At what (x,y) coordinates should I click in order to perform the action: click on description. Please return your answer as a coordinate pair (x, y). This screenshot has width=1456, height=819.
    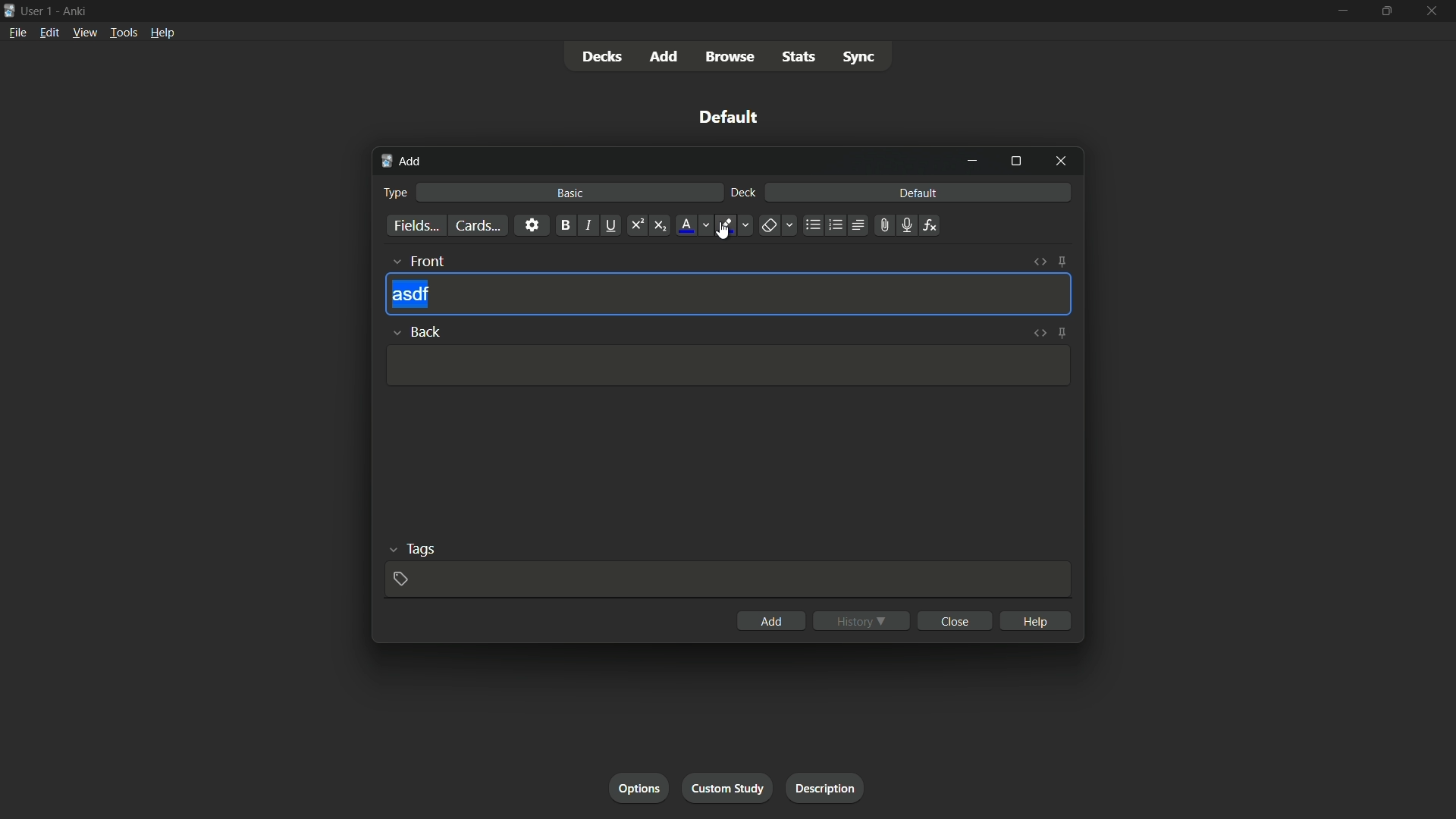
    Looking at the image, I should click on (826, 788).